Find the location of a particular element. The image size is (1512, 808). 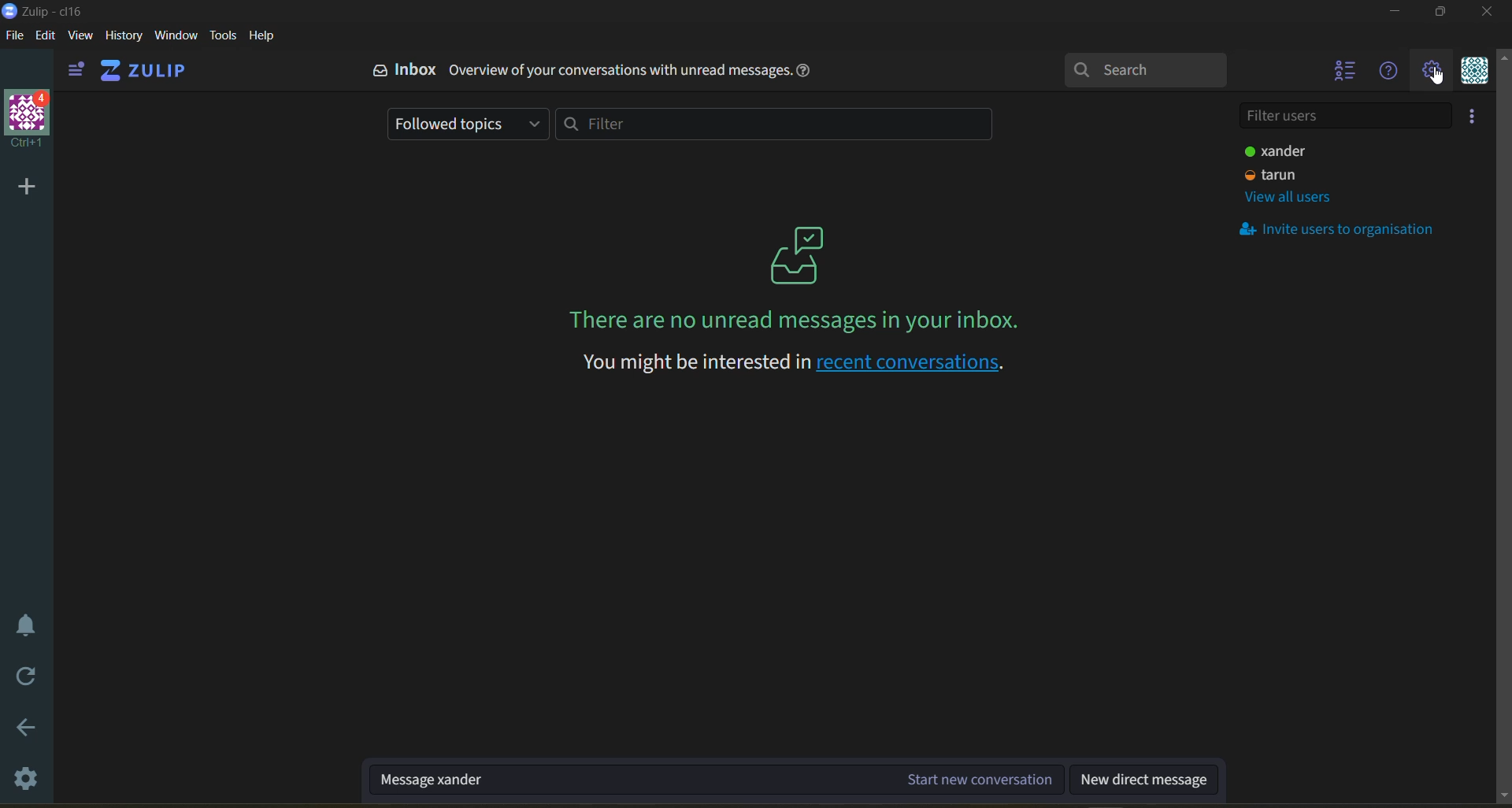

go back is located at coordinates (27, 726).